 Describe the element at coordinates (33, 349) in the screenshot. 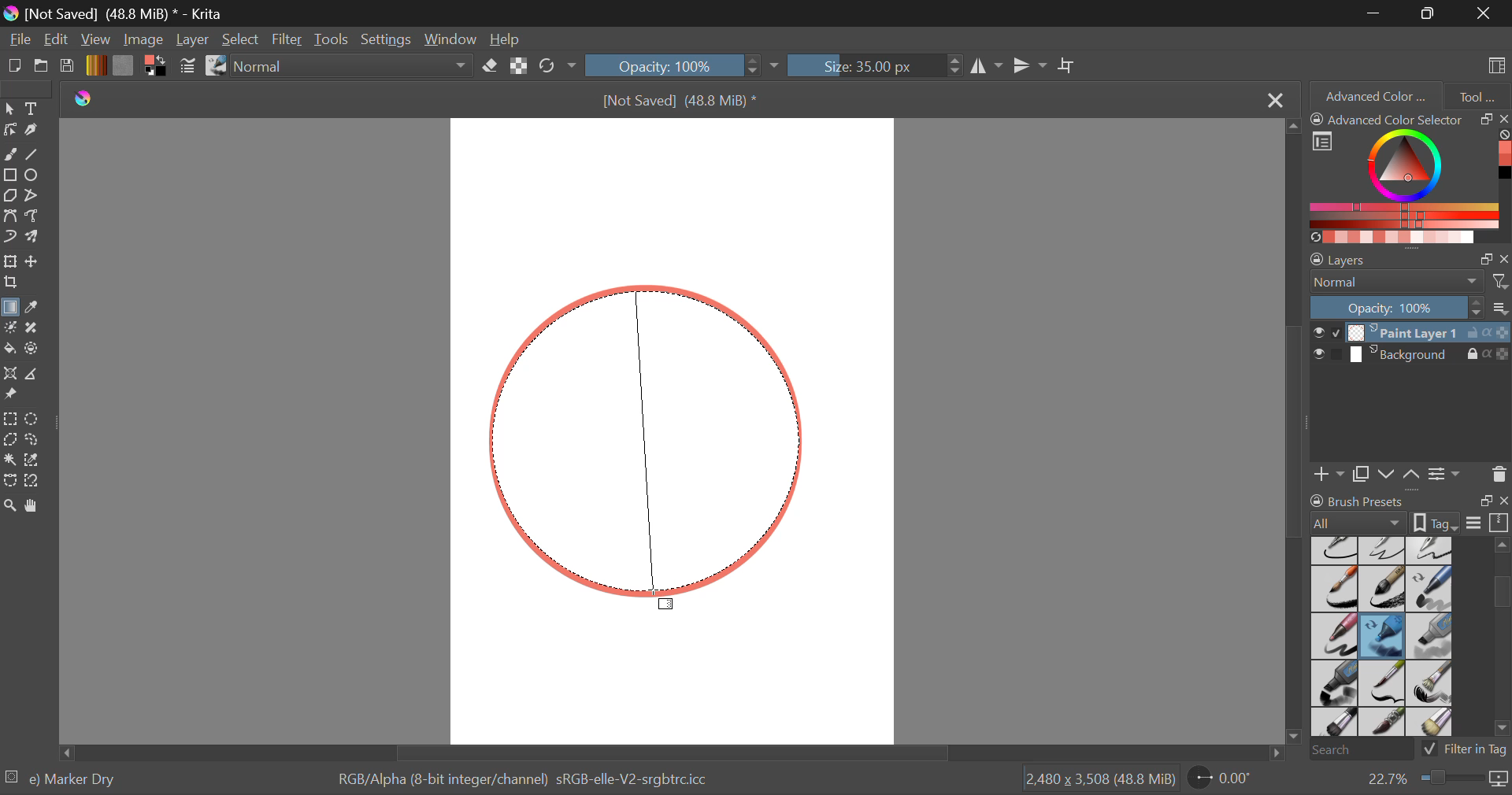

I see `Enclose and Fill Tool` at that location.